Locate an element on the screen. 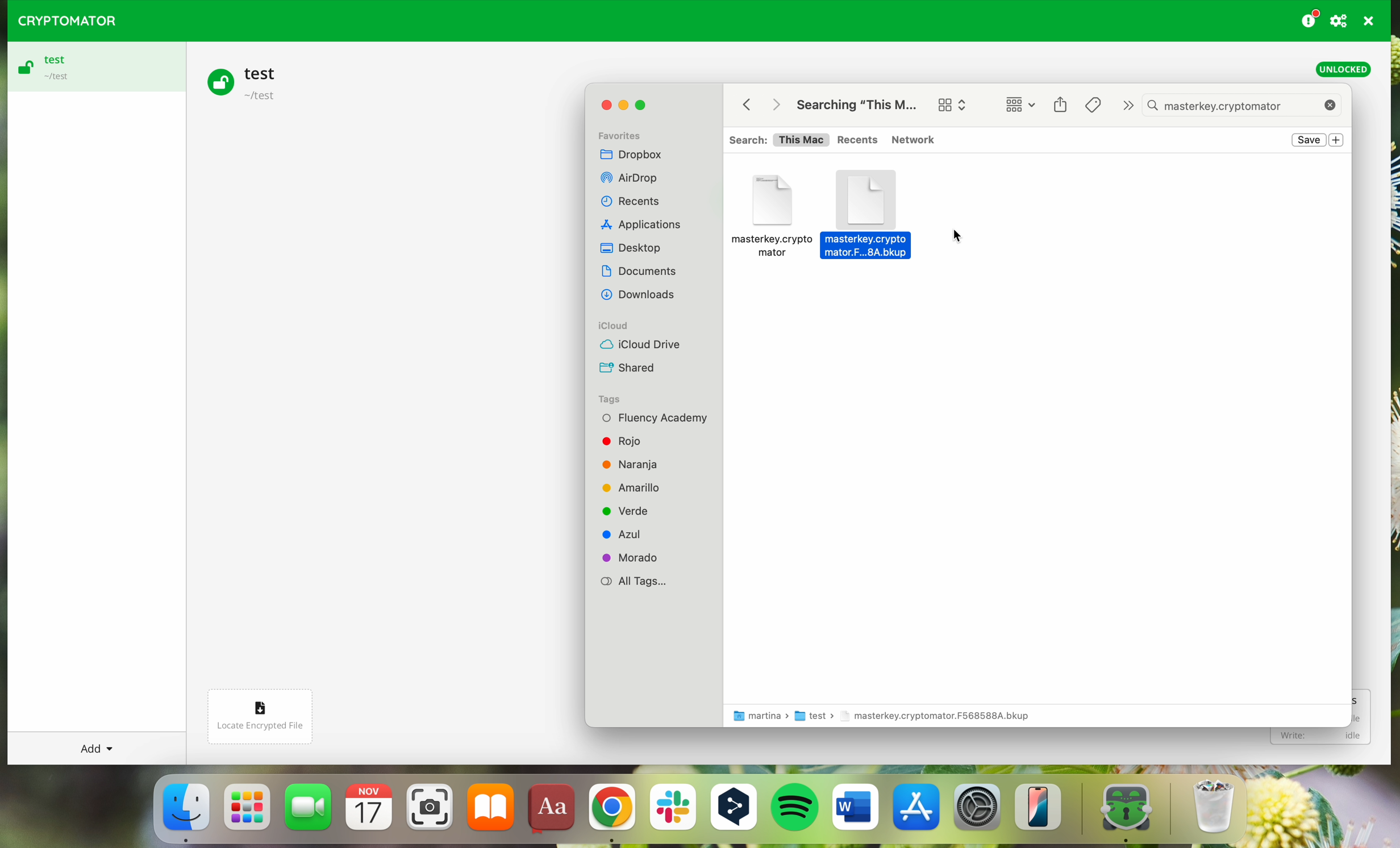 The image size is (1400, 848).  is located at coordinates (648, 225).